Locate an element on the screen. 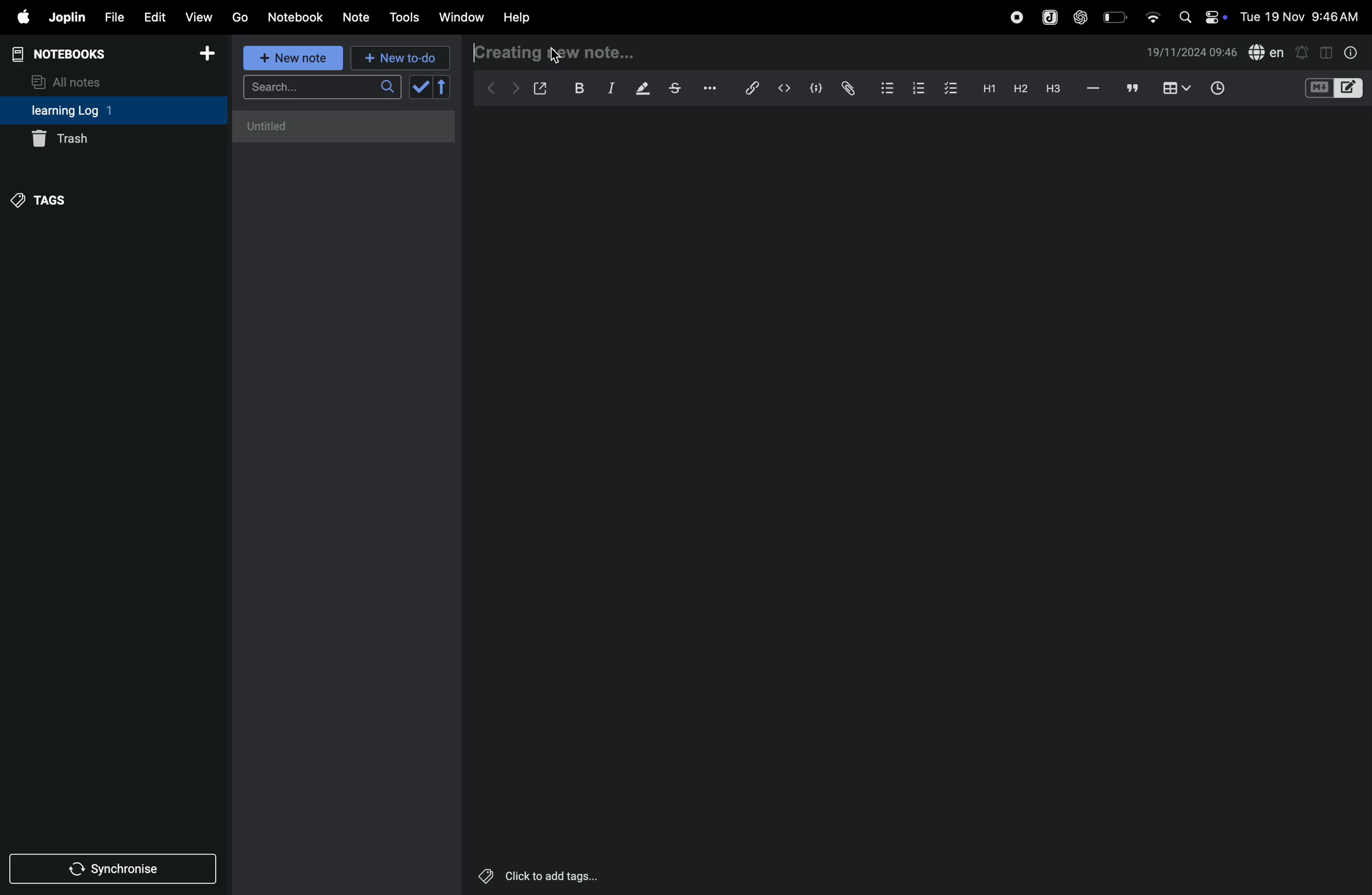 The width and height of the screenshot is (1372, 895). new to do is located at coordinates (395, 55).